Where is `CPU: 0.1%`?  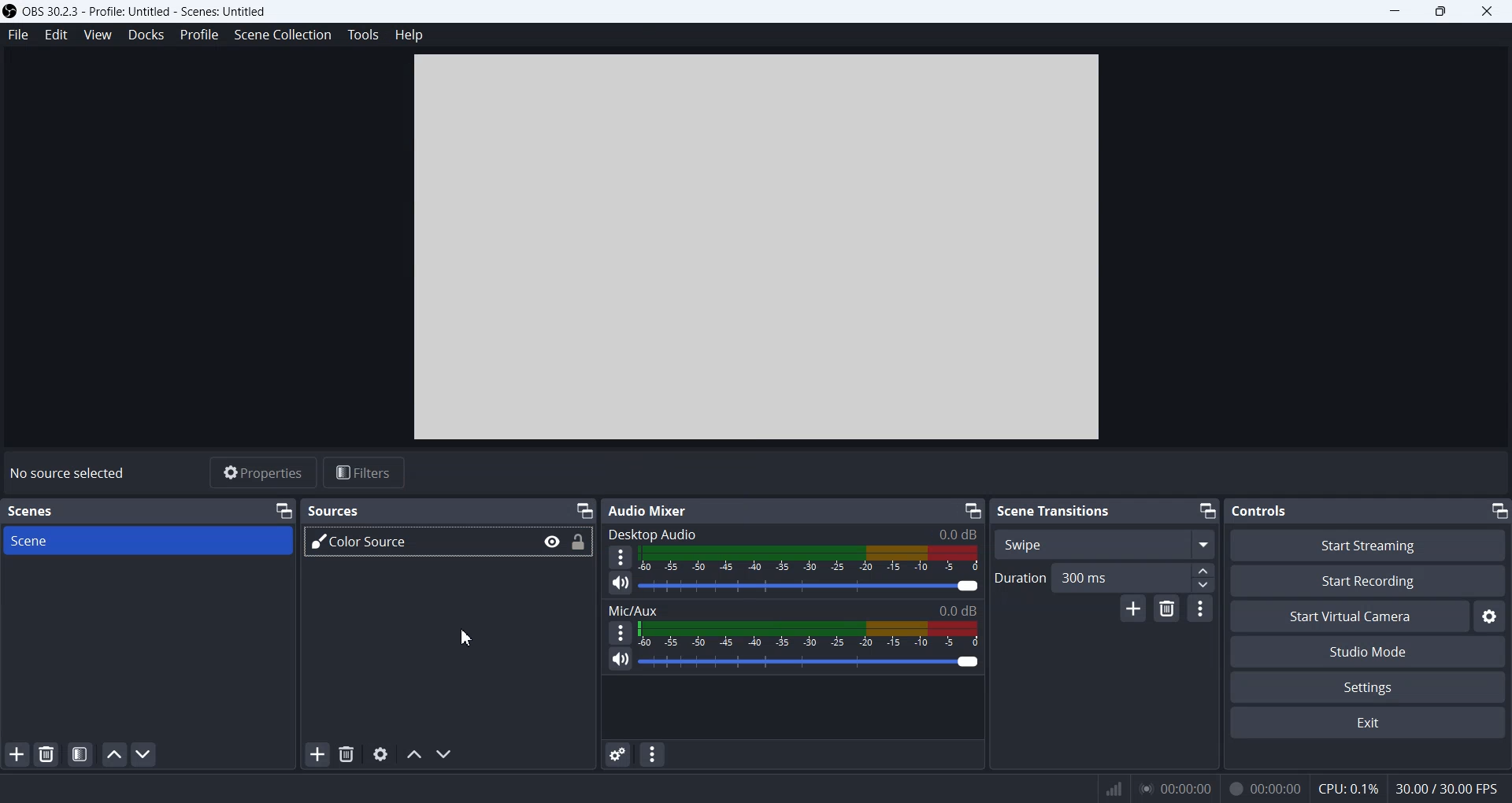 CPU: 0.1% is located at coordinates (1343, 786).